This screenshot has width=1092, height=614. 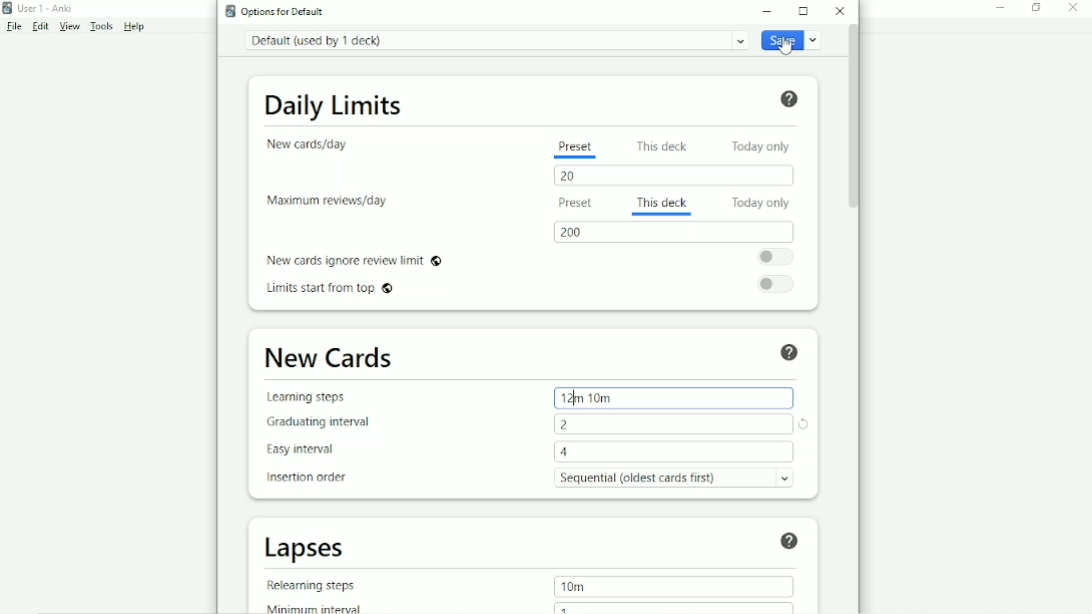 What do you see at coordinates (317, 423) in the screenshot?
I see `Graduating interval` at bounding box center [317, 423].